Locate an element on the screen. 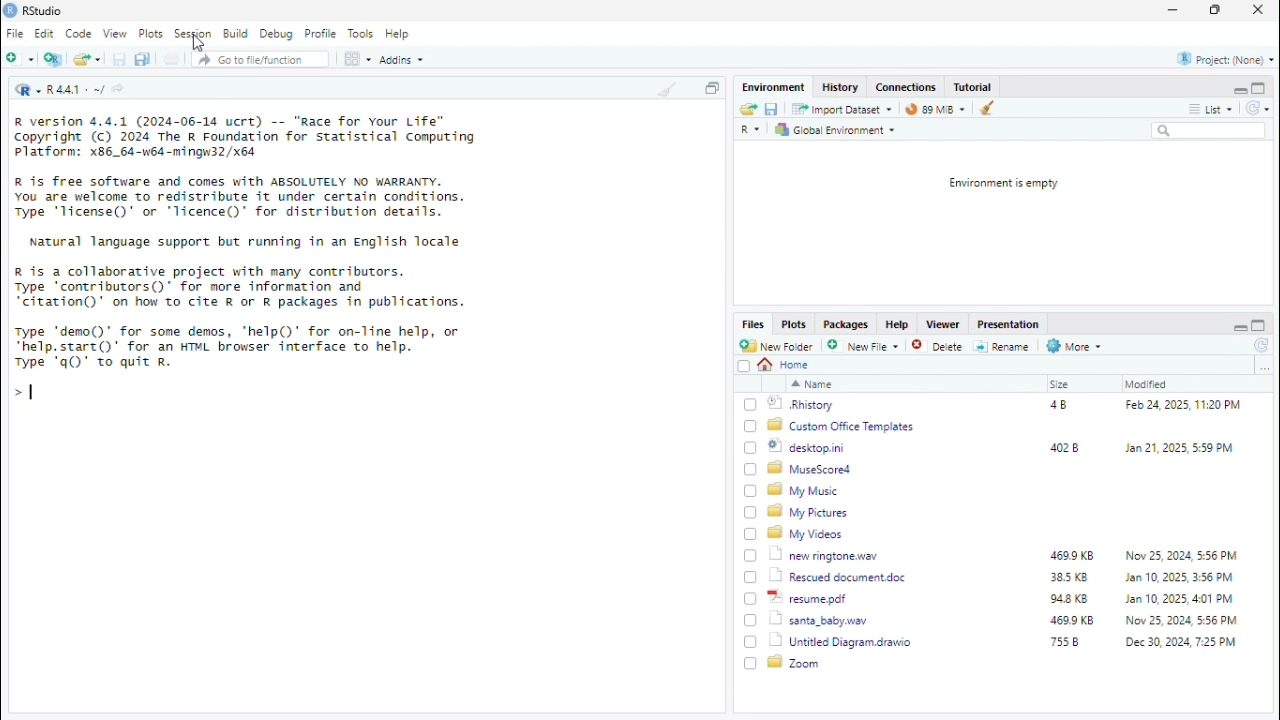 Image resolution: width=1280 pixels, height=720 pixels. R version 4.4.1 (2024-06-14 ucrt) -- "Race for Your Life”
Copyright (c) 2024 The R Foundation for statistical Computing
Platform: x86_64-w64-mingw32/x64 is located at coordinates (245, 138).